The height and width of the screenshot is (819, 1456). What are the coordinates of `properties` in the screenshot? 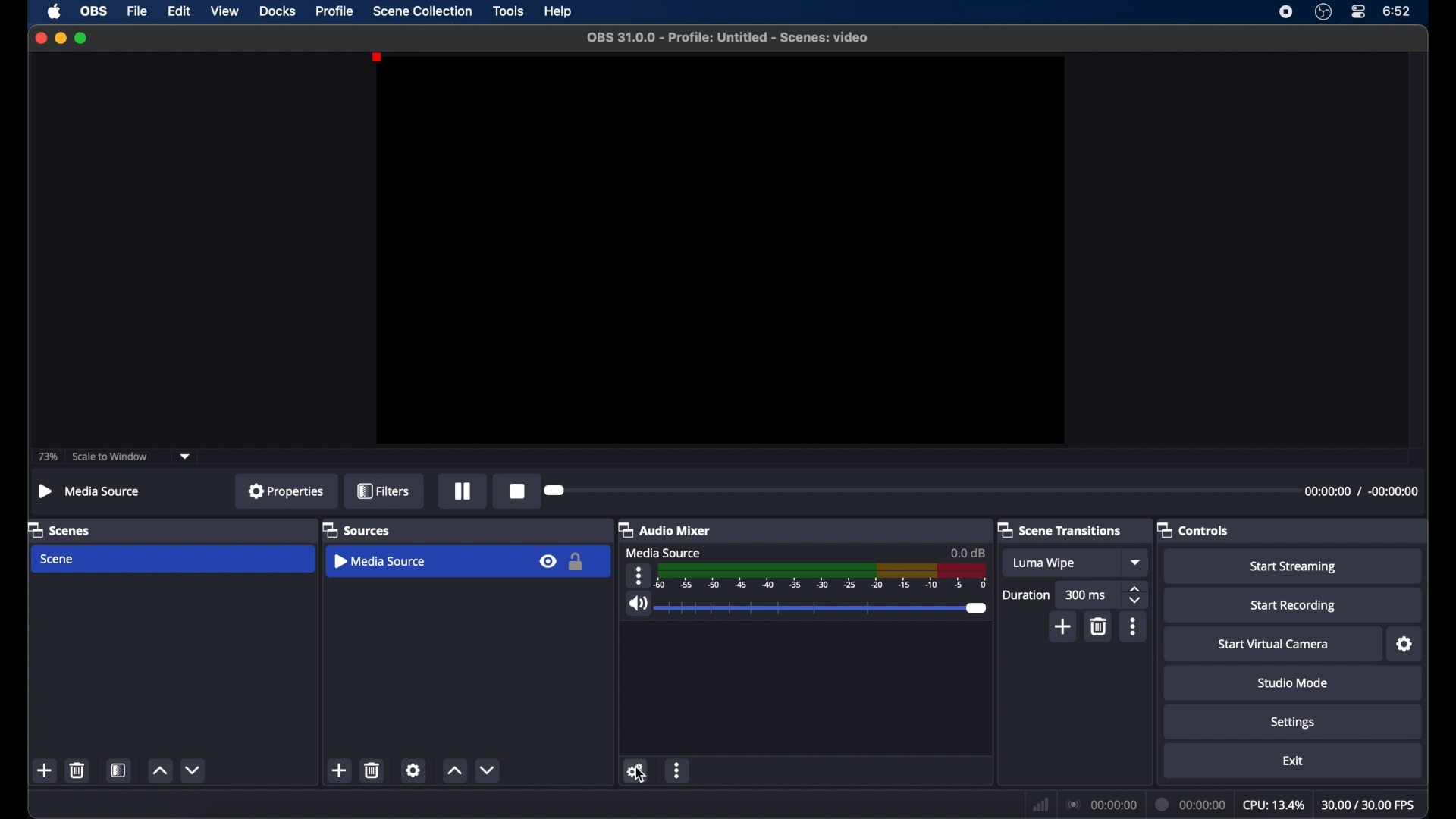 It's located at (287, 491).